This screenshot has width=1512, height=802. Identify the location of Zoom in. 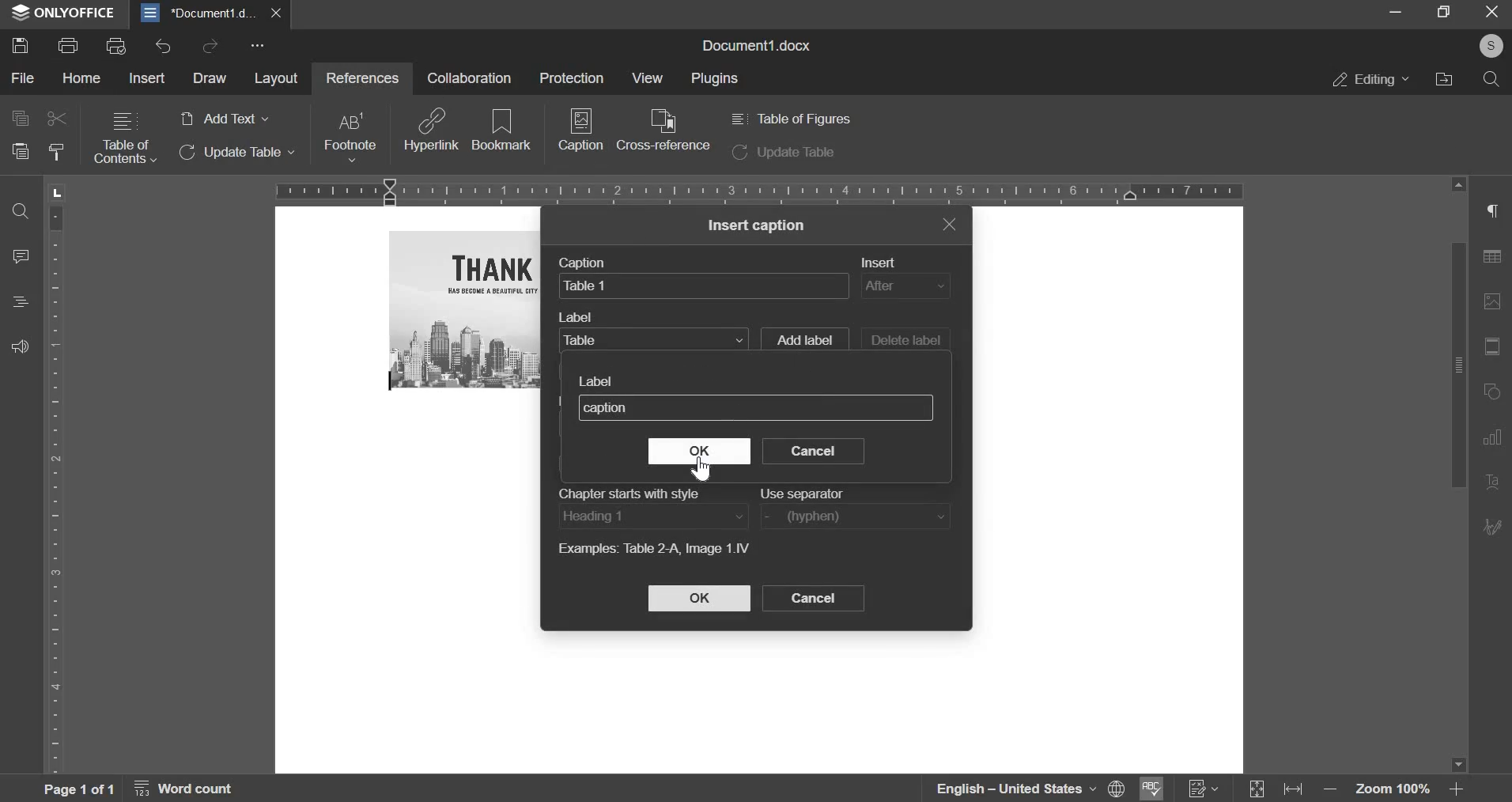
(1456, 789).